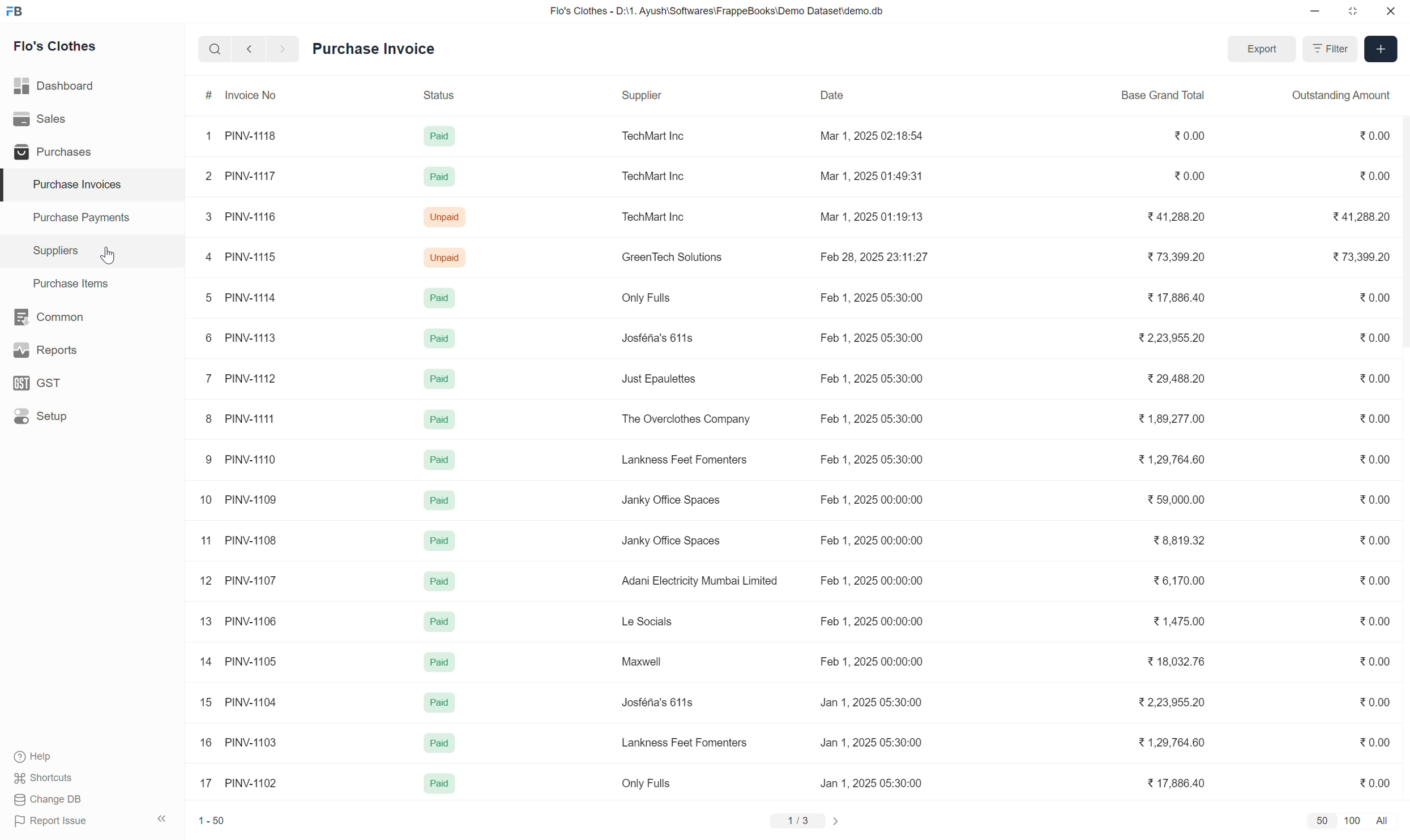  I want to click on Help, so click(31, 753).